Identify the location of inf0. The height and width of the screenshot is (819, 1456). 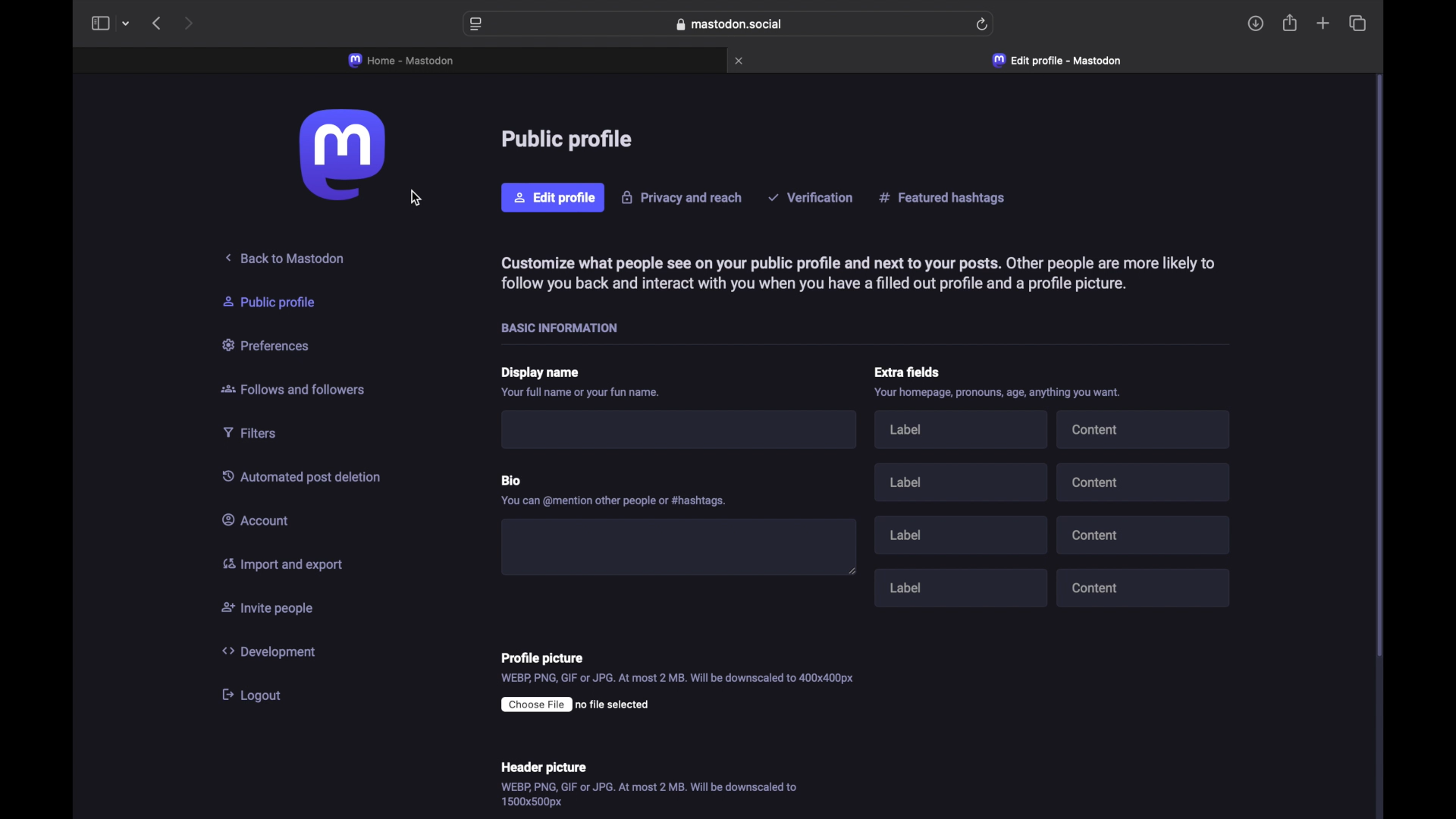
(1001, 394).